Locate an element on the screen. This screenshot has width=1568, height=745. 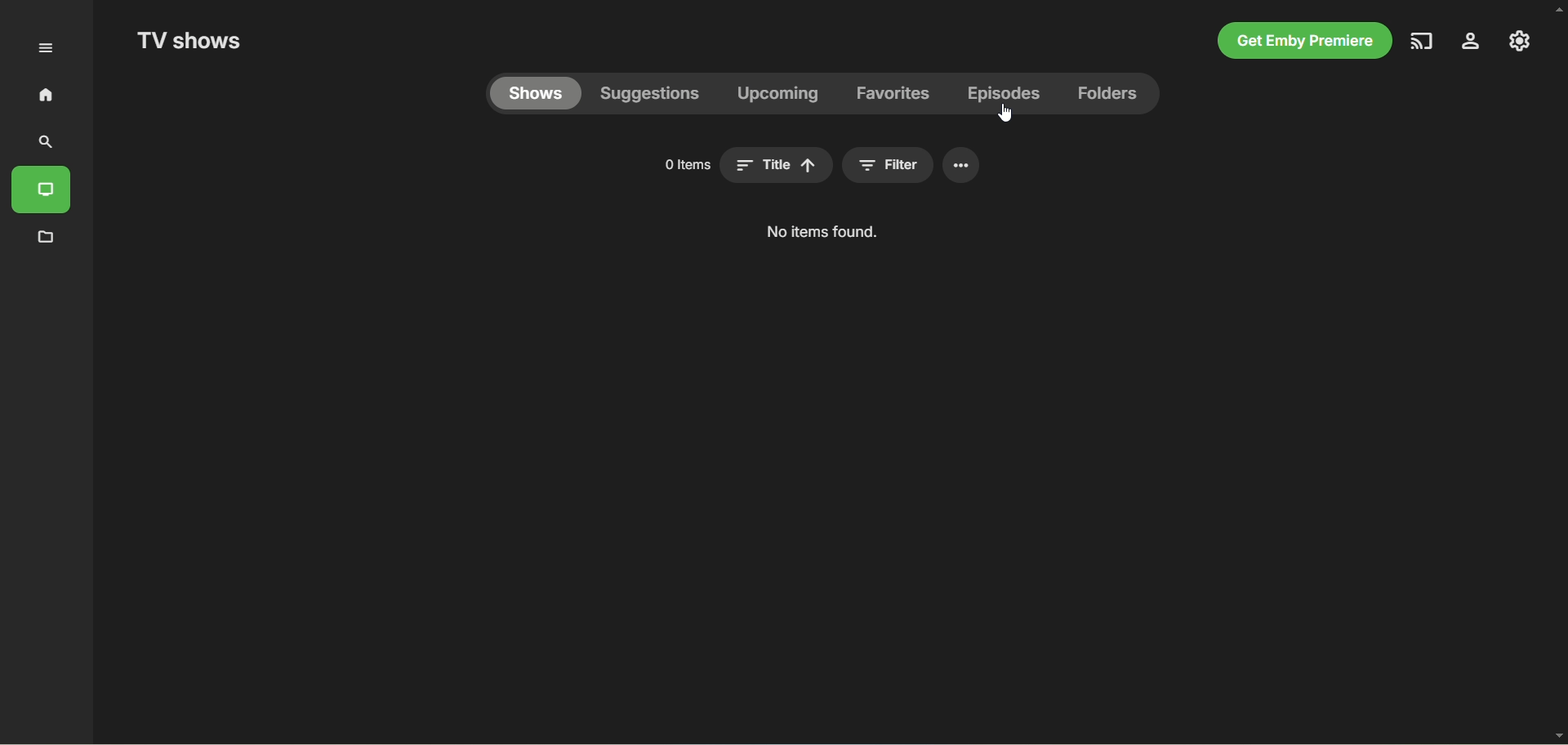
upcoming is located at coordinates (777, 93).